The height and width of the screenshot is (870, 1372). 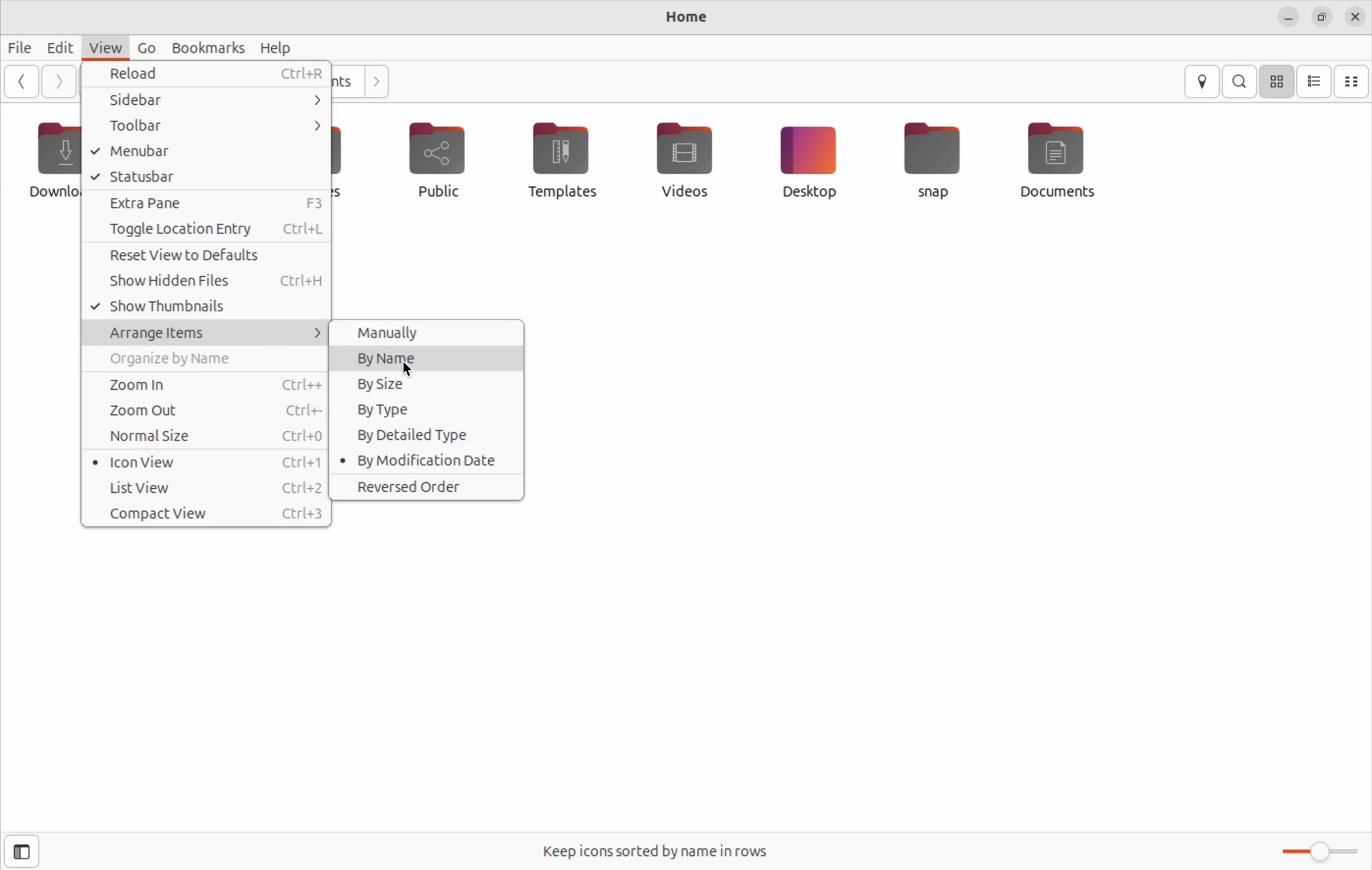 I want to click on side bar, so click(x=220, y=99).